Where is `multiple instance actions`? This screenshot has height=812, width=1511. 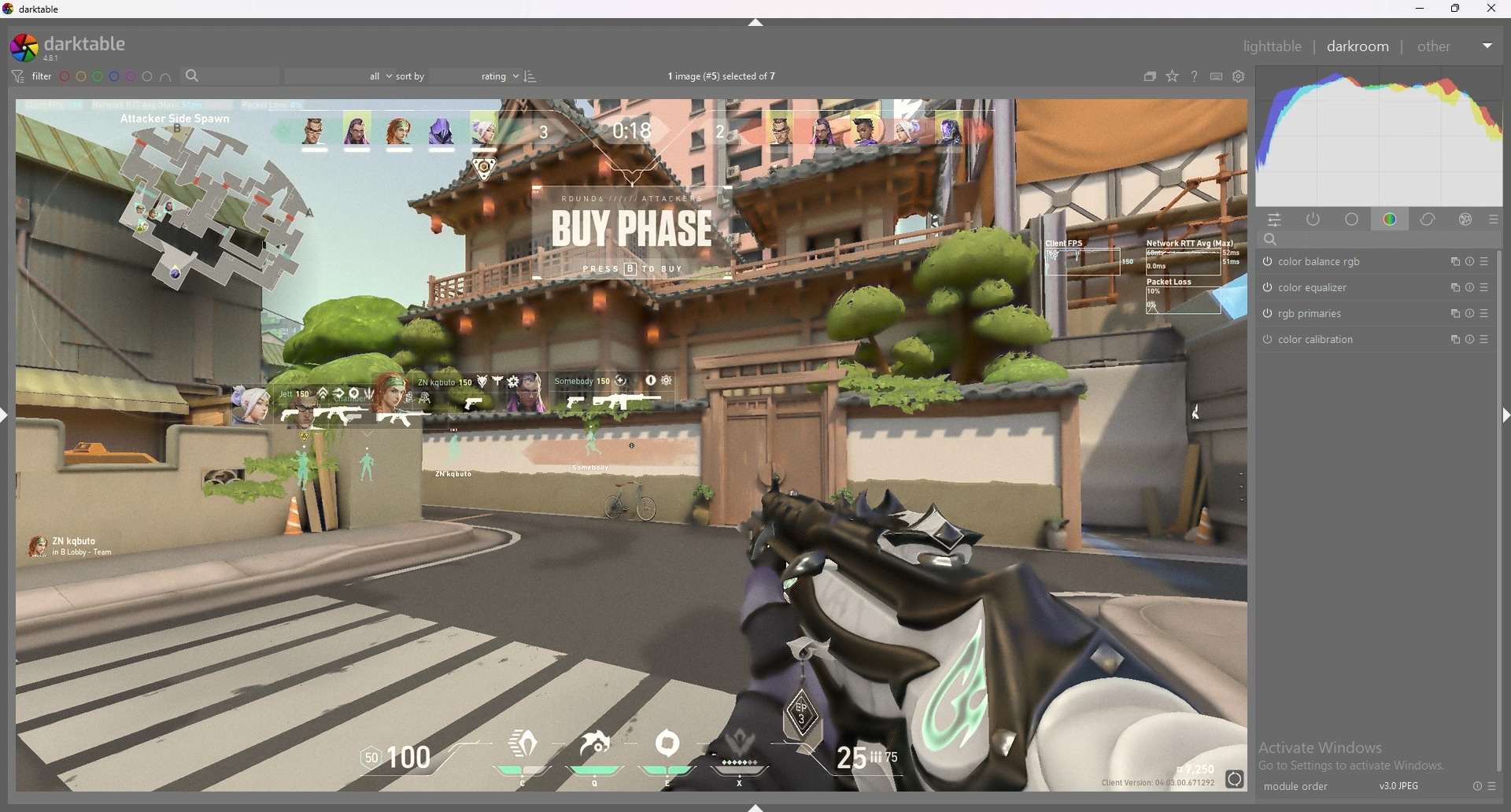
multiple instance actions is located at coordinates (1450, 261).